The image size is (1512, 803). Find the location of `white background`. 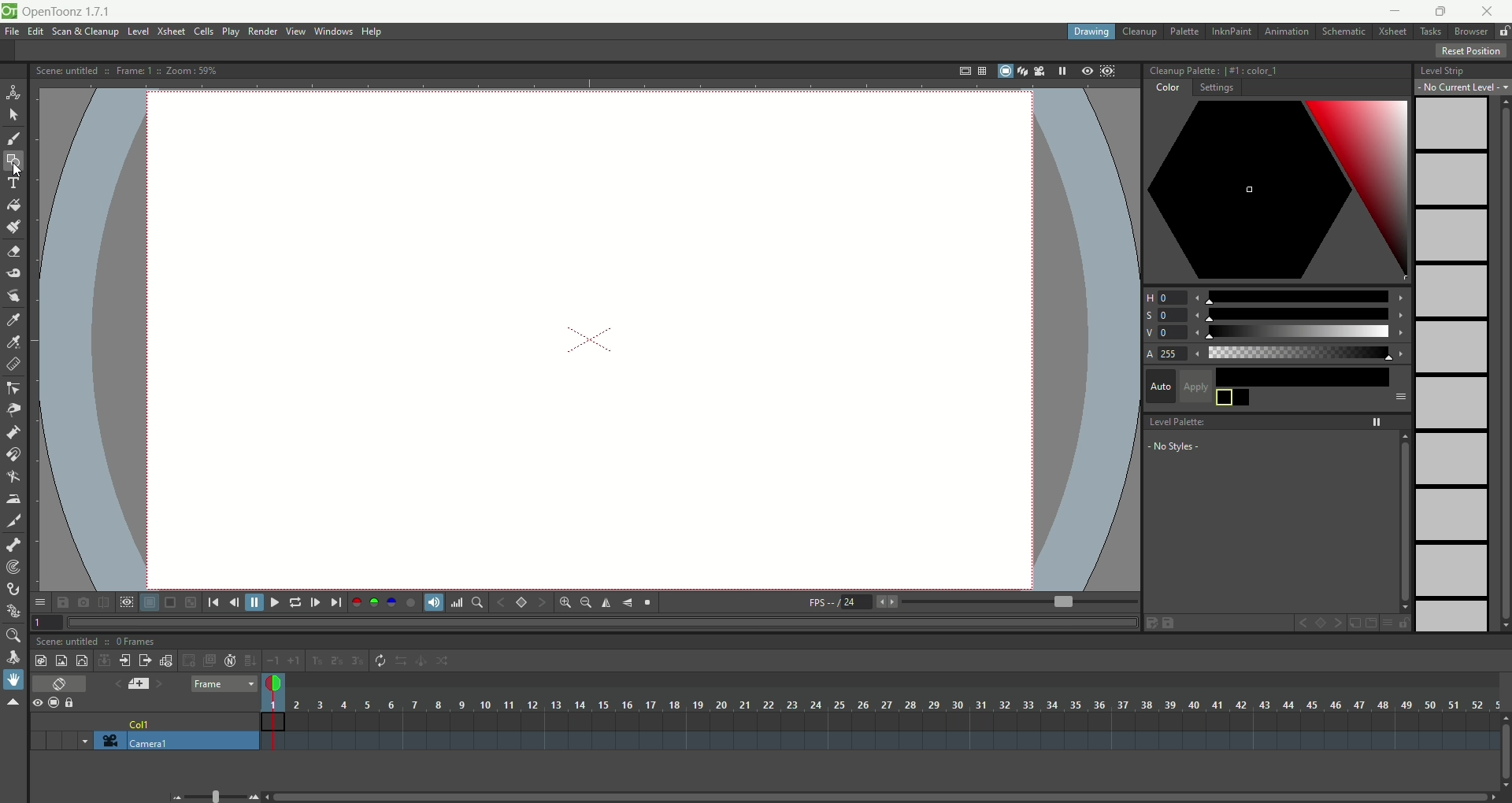

white background is located at coordinates (149, 603).